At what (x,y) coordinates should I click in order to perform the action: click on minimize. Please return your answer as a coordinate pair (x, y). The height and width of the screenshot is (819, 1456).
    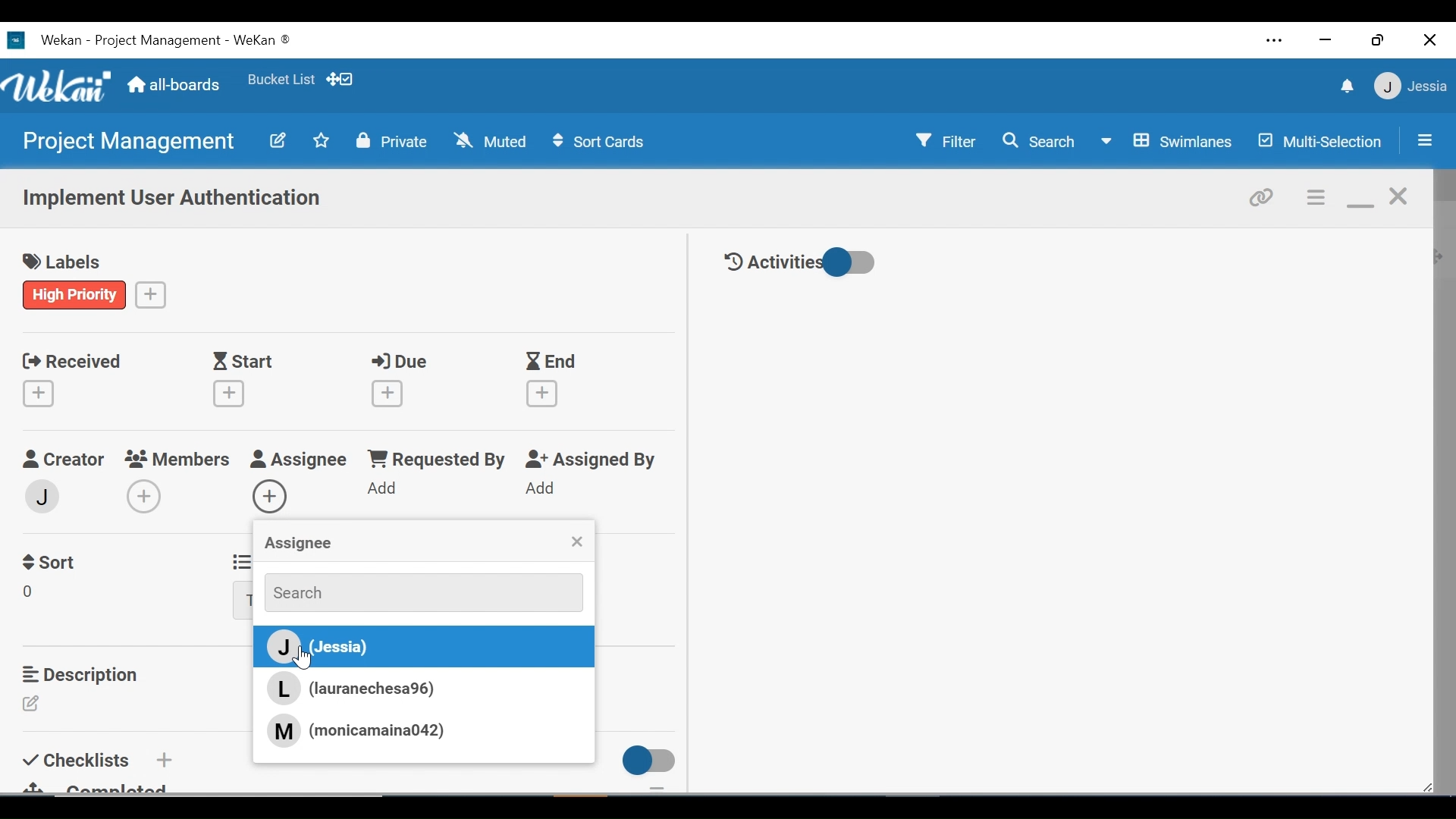
    Looking at the image, I should click on (1323, 41).